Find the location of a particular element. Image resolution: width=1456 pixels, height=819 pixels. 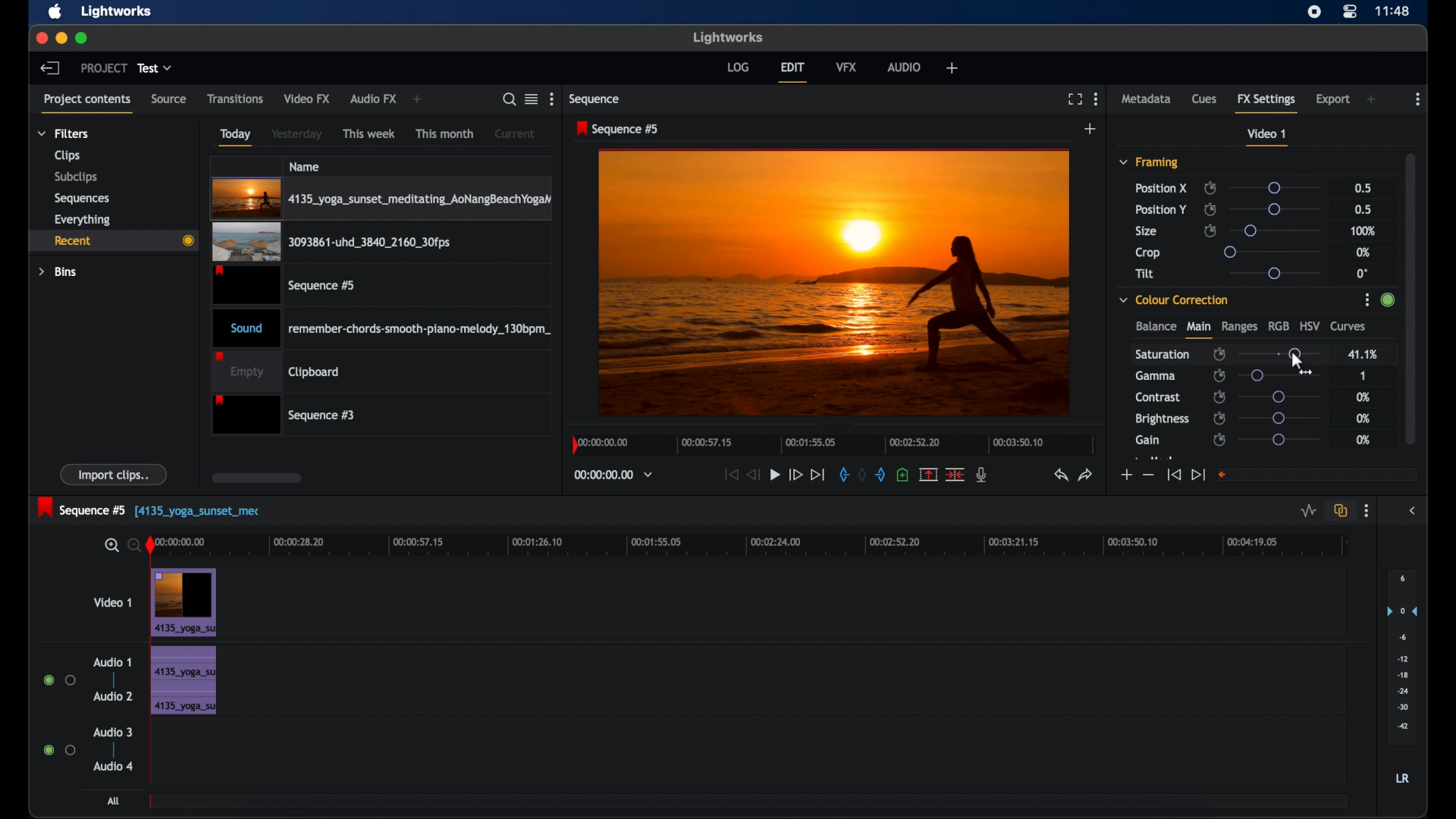

slider is located at coordinates (1273, 187).